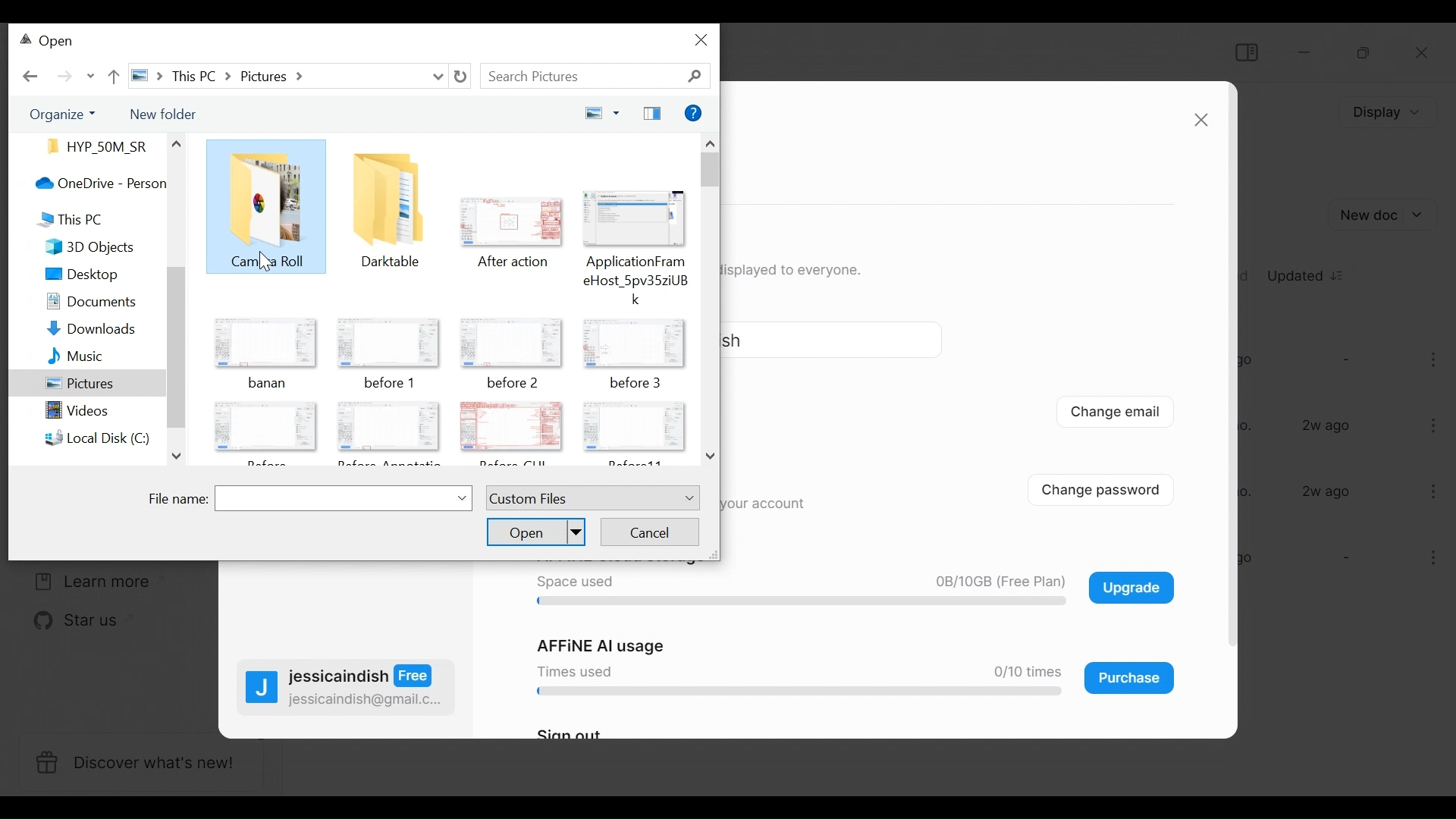  Describe the element at coordinates (571, 670) in the screenshot. I see `Times used` at that location.